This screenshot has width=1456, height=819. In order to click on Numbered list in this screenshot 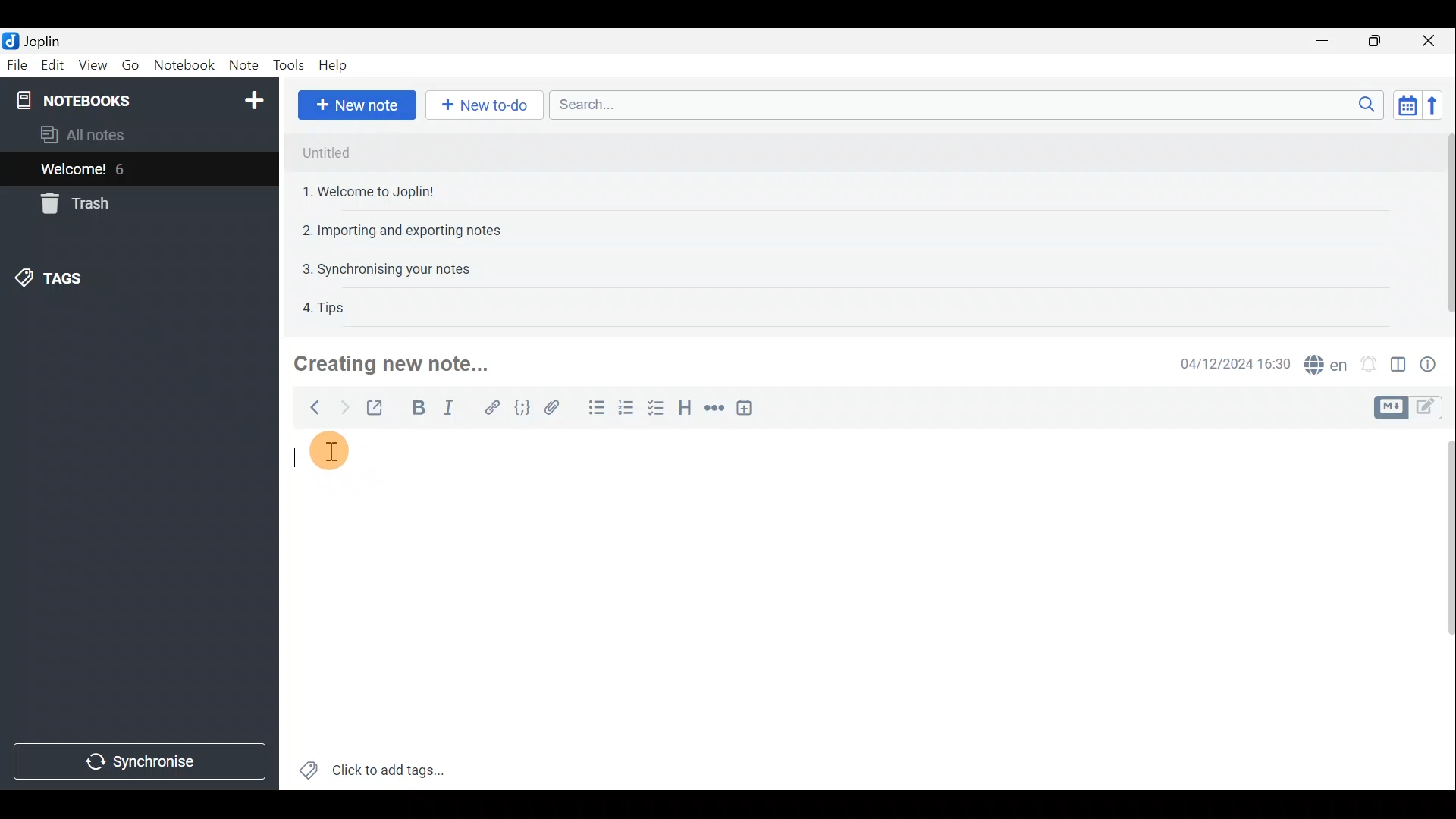, I will do `click(626, 410)`.